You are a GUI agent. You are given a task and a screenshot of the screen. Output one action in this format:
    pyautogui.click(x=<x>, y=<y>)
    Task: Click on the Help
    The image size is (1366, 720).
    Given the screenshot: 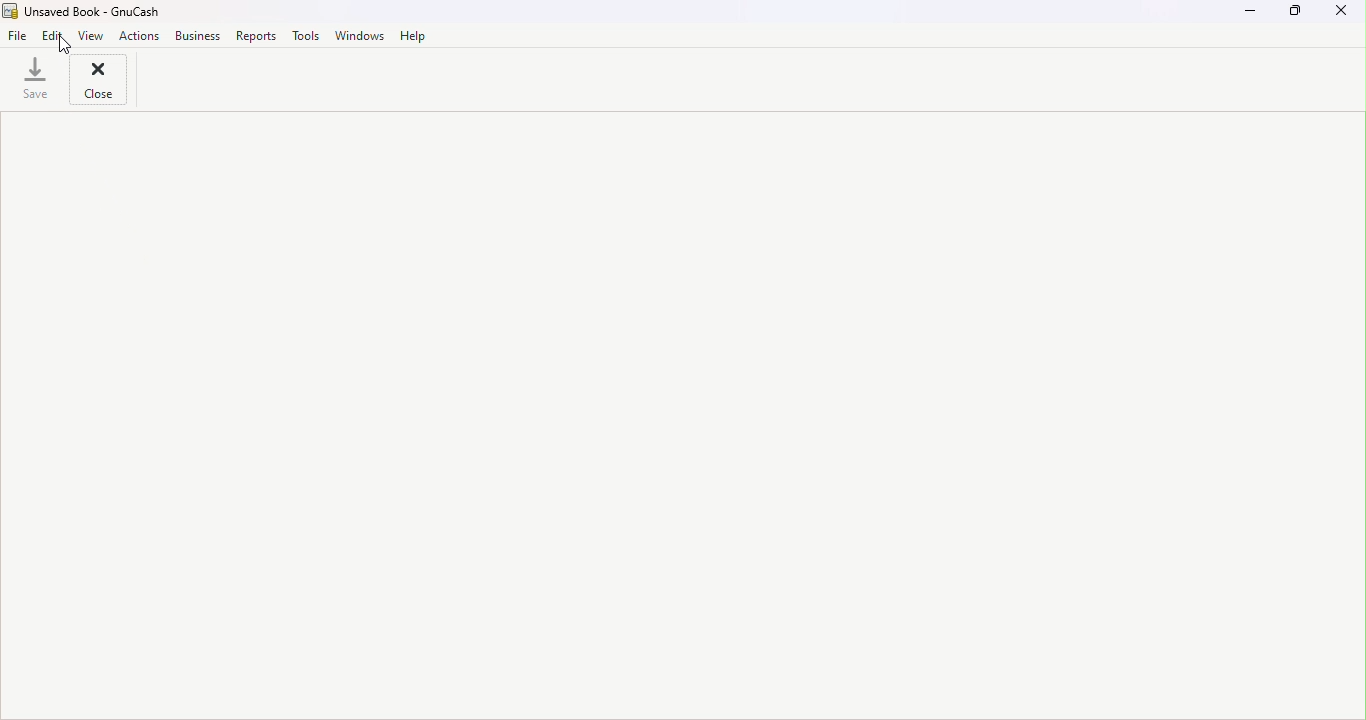 What is the action you would take?
    pyautogui.click(x=420, y=35)
    